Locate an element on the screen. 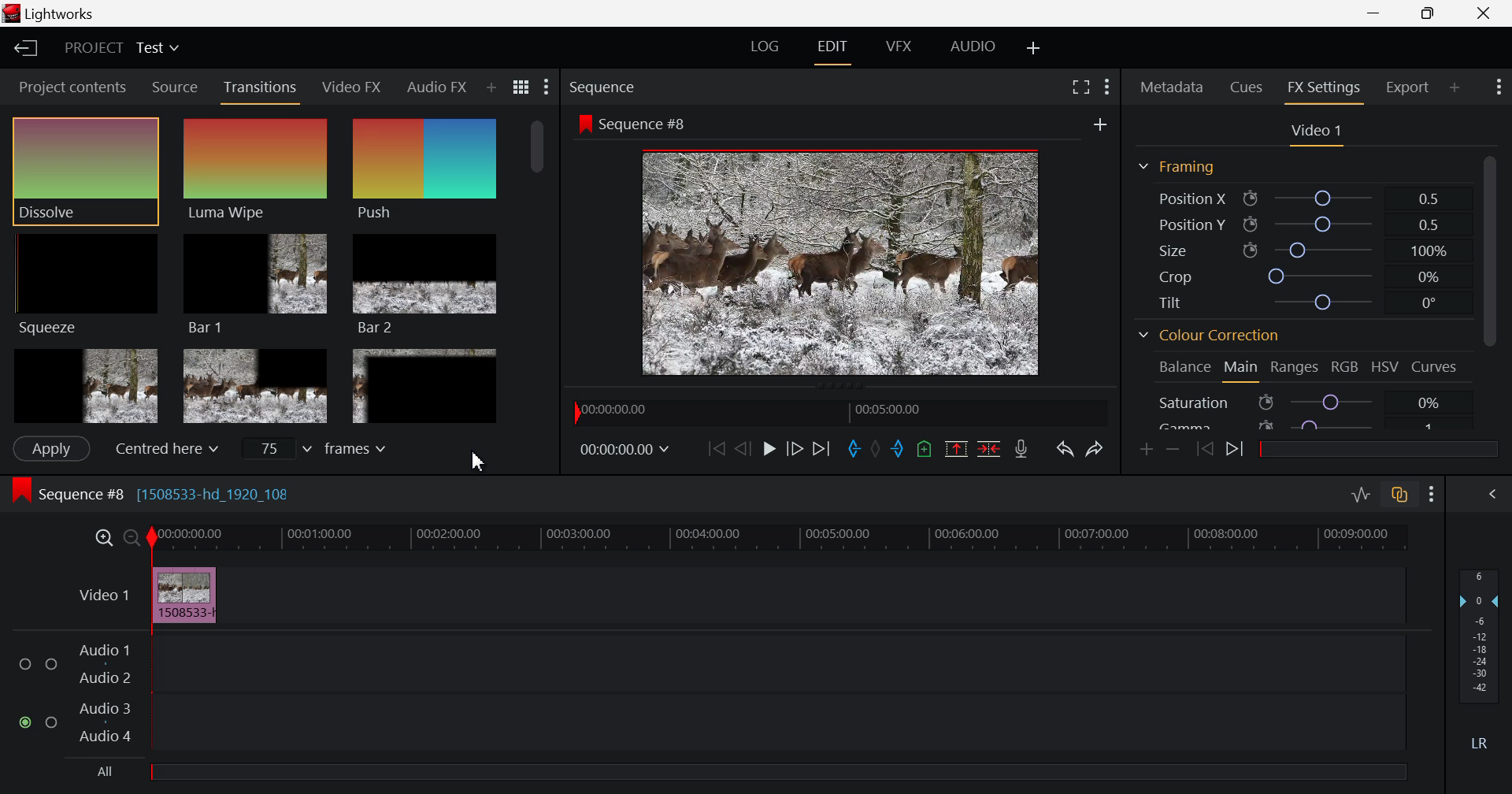 This screenshot has height=794, width=1512. Balance is located at coordinates (1182, 369).